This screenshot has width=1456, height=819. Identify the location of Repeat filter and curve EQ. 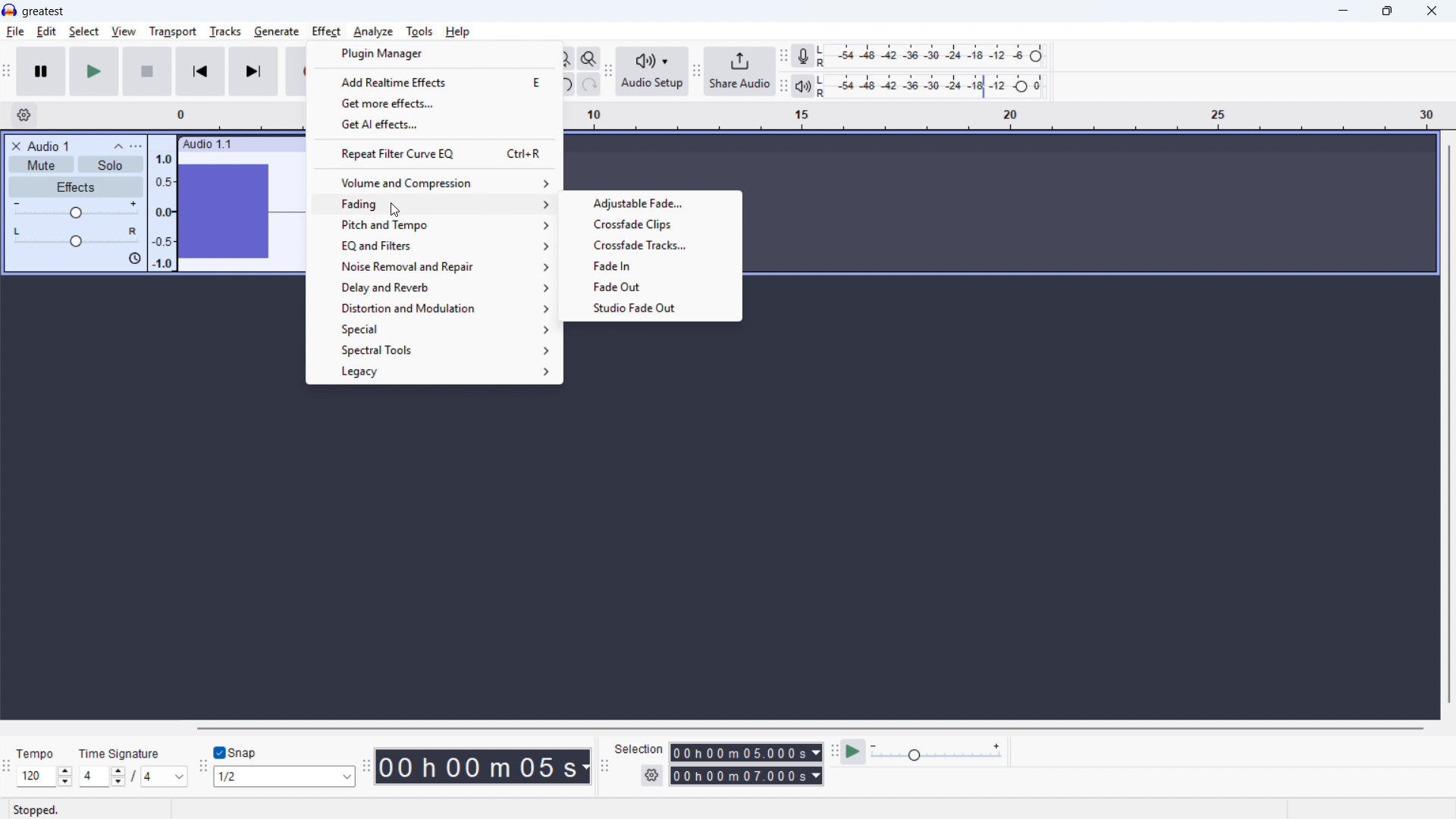
(434, 152).